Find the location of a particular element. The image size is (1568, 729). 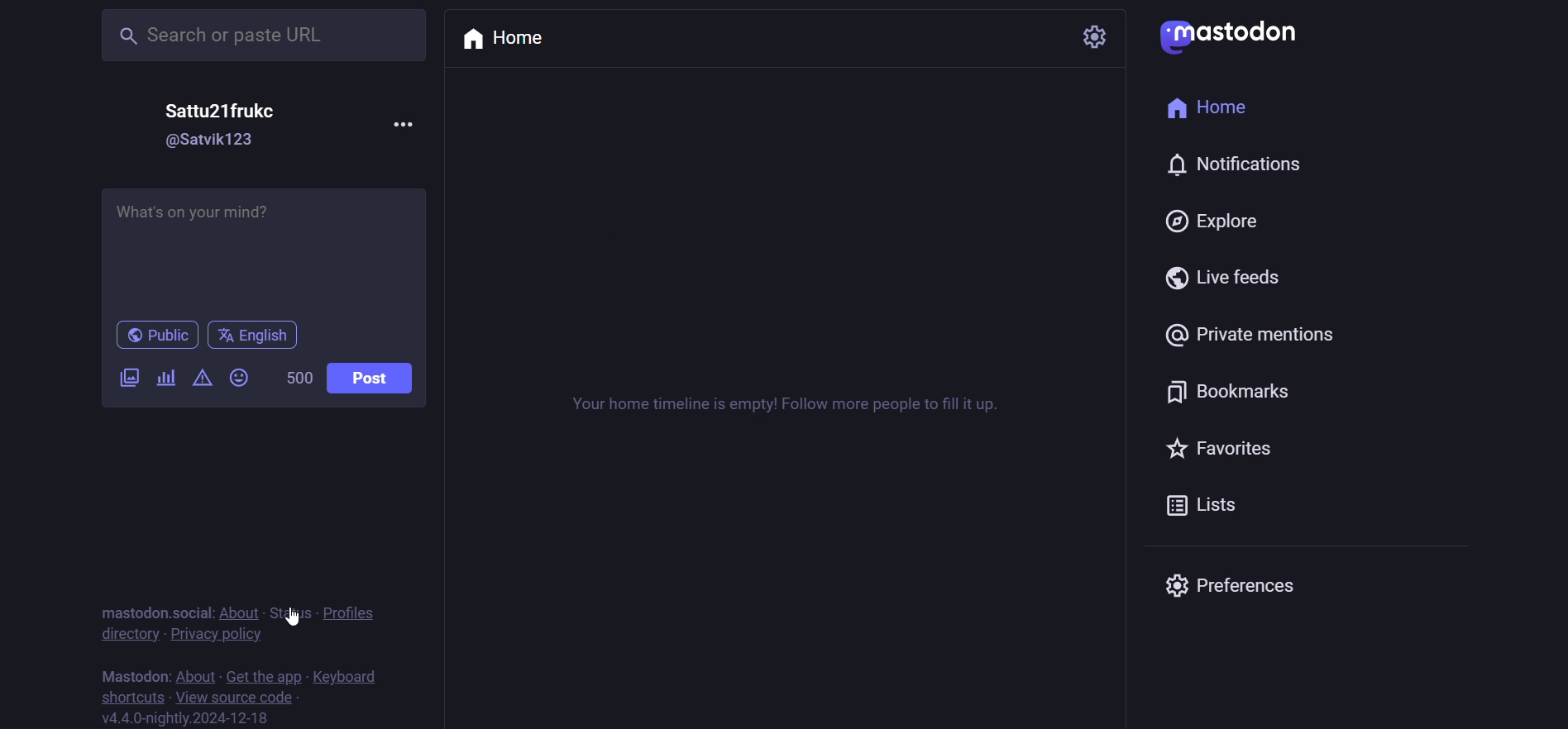

directory is located at coordinates (122, 632).